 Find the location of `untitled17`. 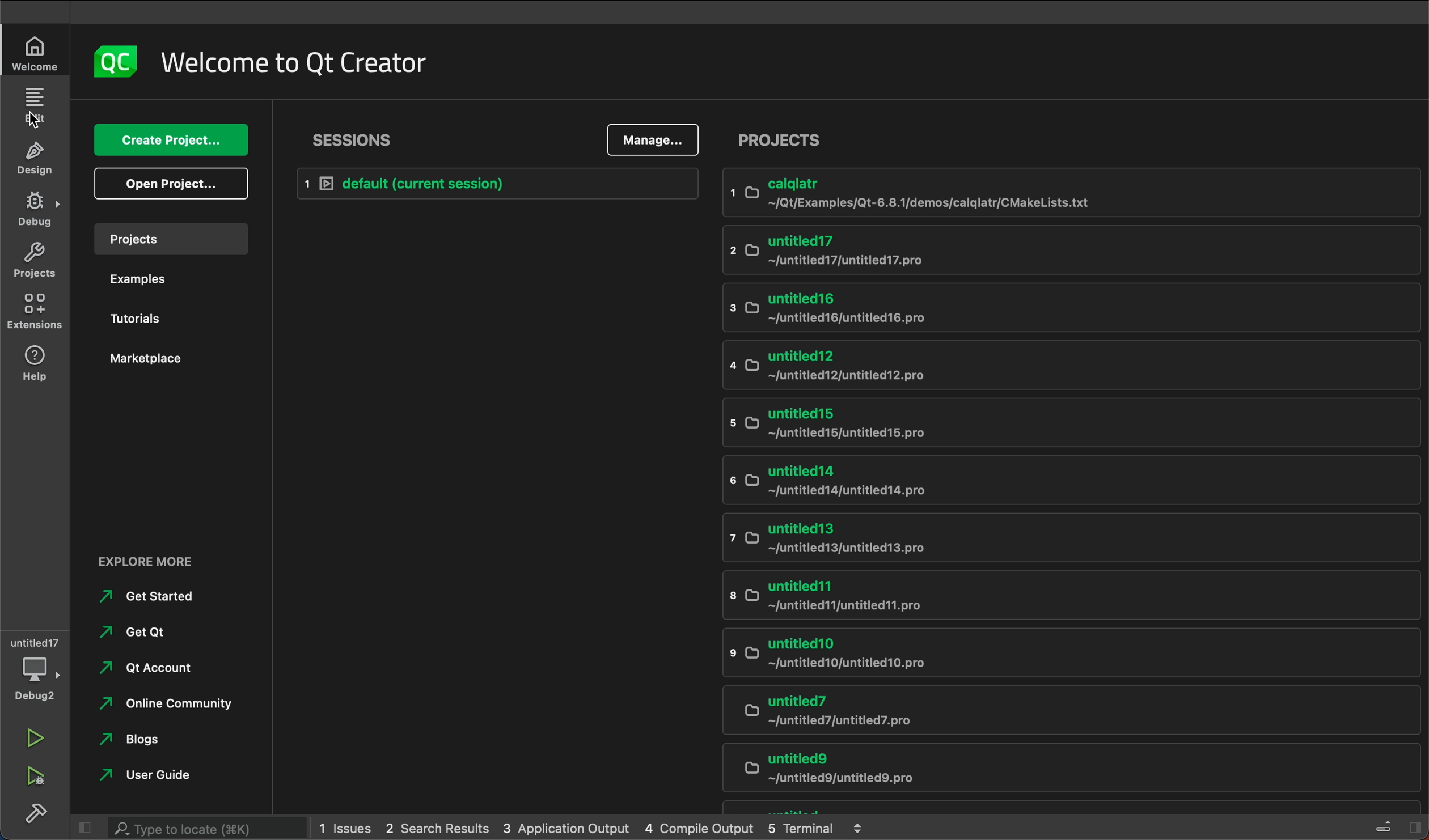

untitled17 is located at coordinates (1037, 251).